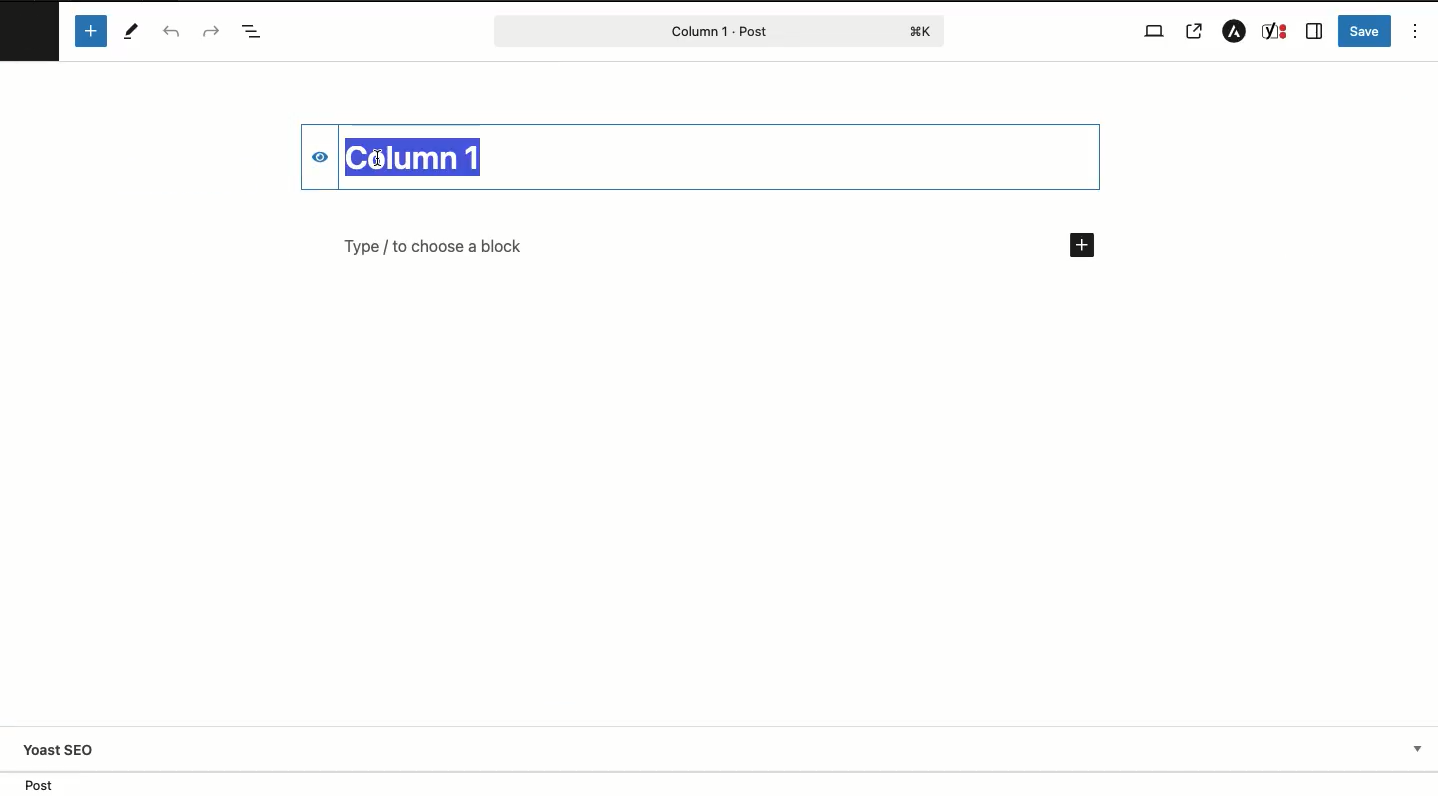  Describe the element at coordinates (171, 33) in the screenshot. I see `UNDO` at that location.